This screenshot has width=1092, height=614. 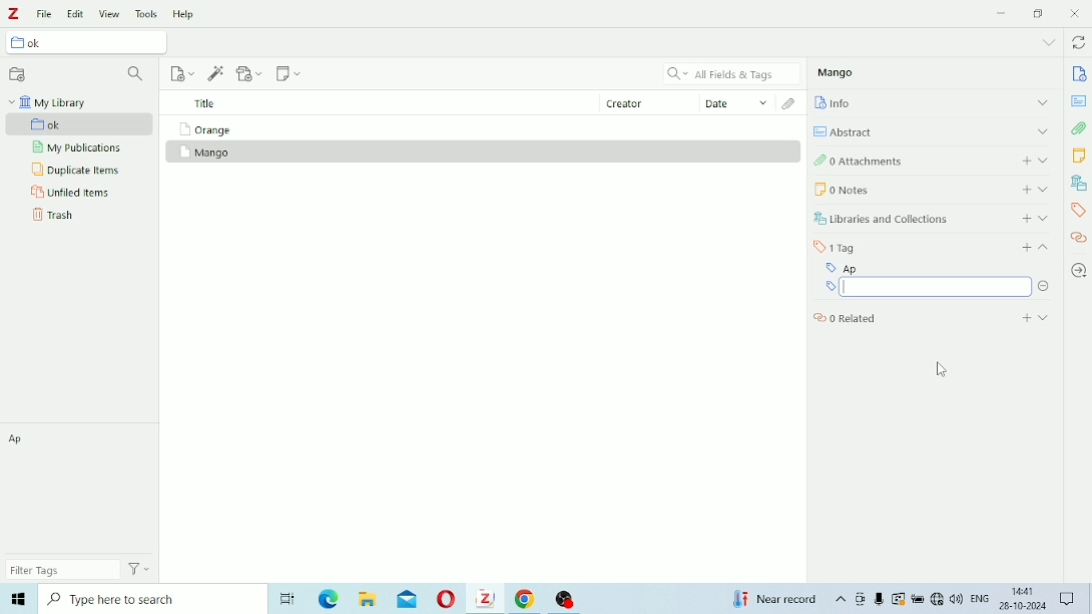 What do you see at coordinates (14, 15) in the screenshot?
I see `Logo` at bounding box center [14, 15].